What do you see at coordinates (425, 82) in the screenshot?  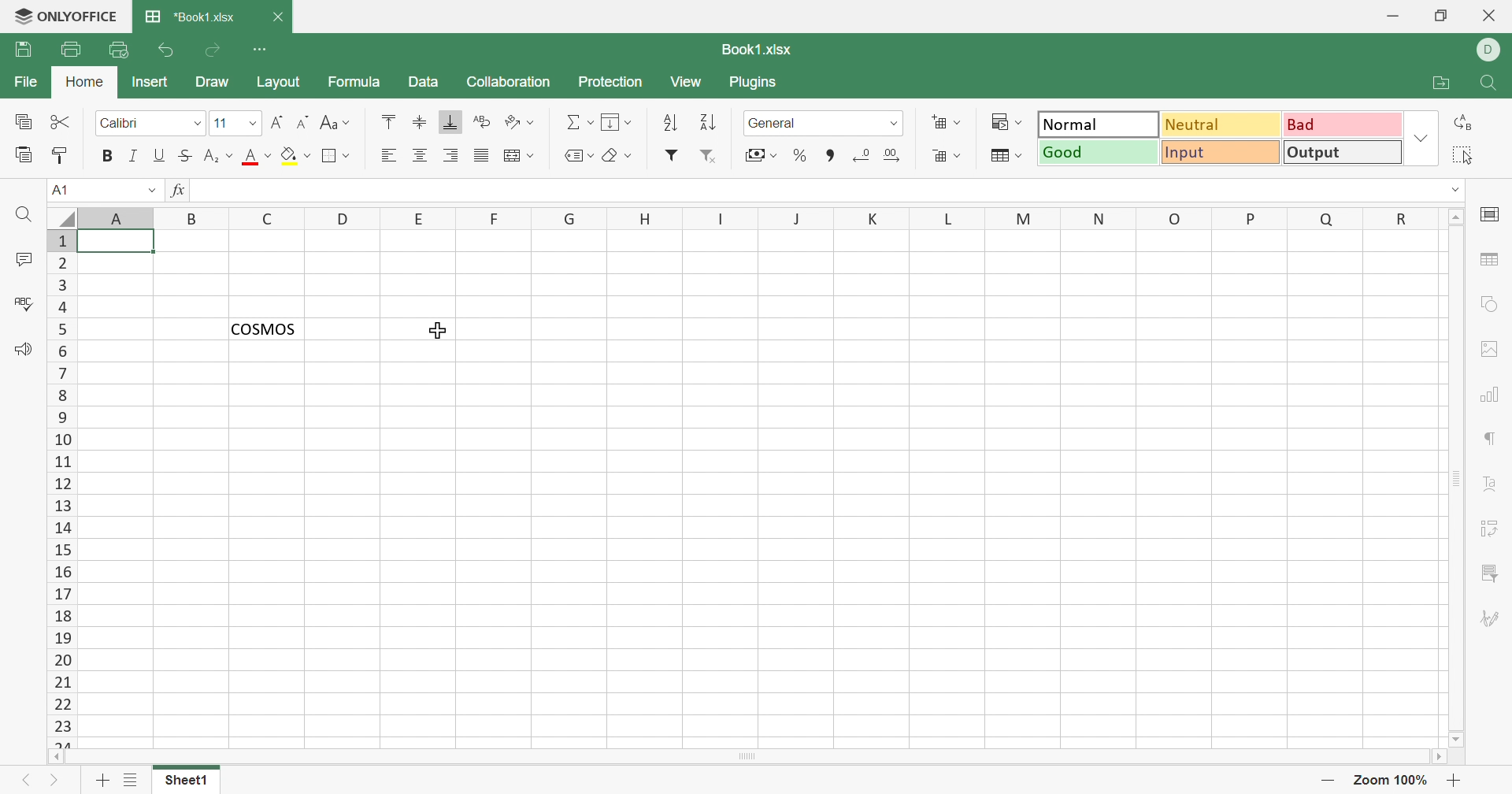 I see `Data` at bounding box center [425, 82].